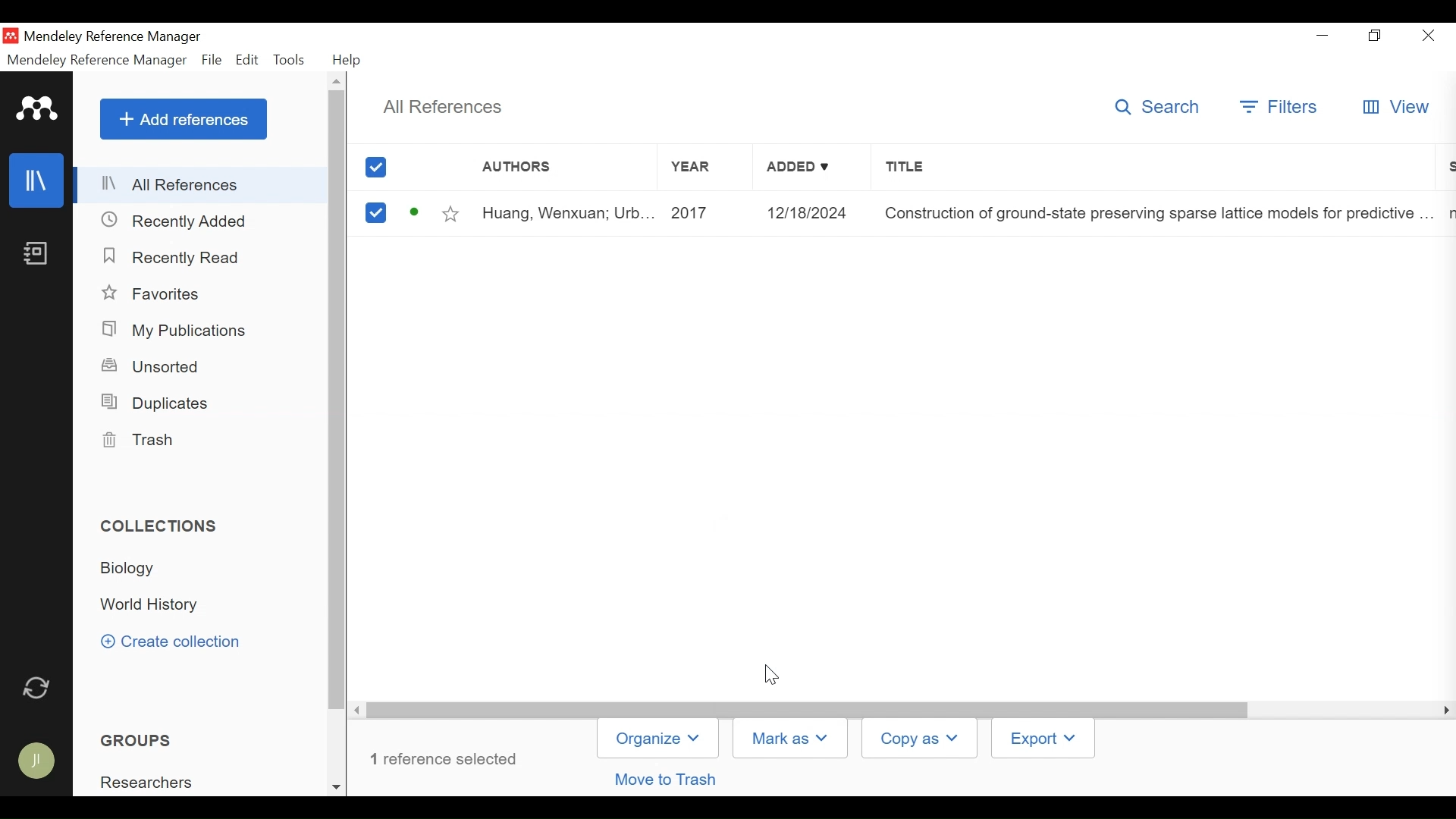 The image size is (1456, 819). I want to click on My Publications, so click(178, 331).